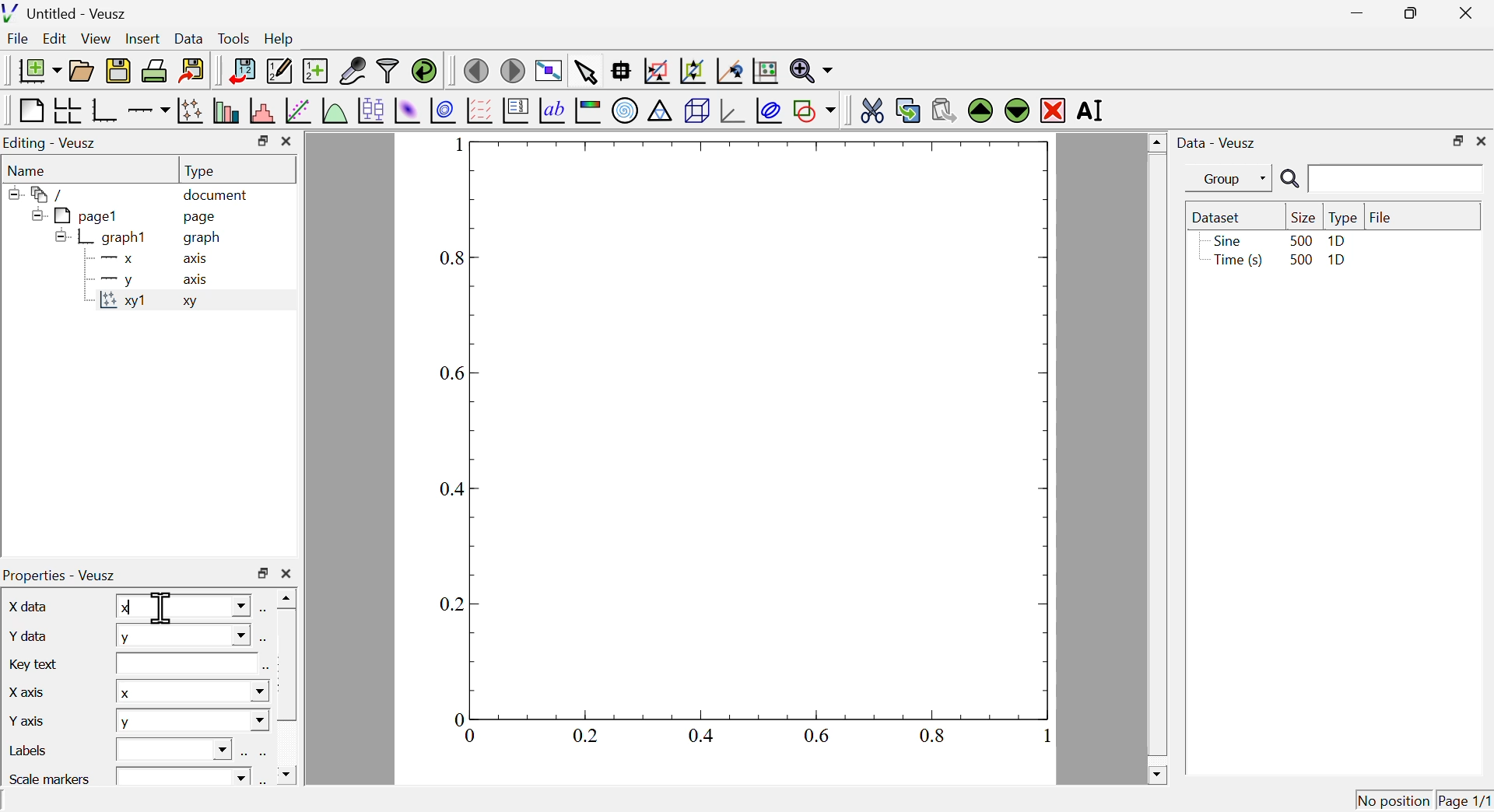 Image resolution: width=1494 pixels, height=812 pixels. Describe the element at coordinates (240, 72) in the screenshot. I see `import data into veusz` at that location.